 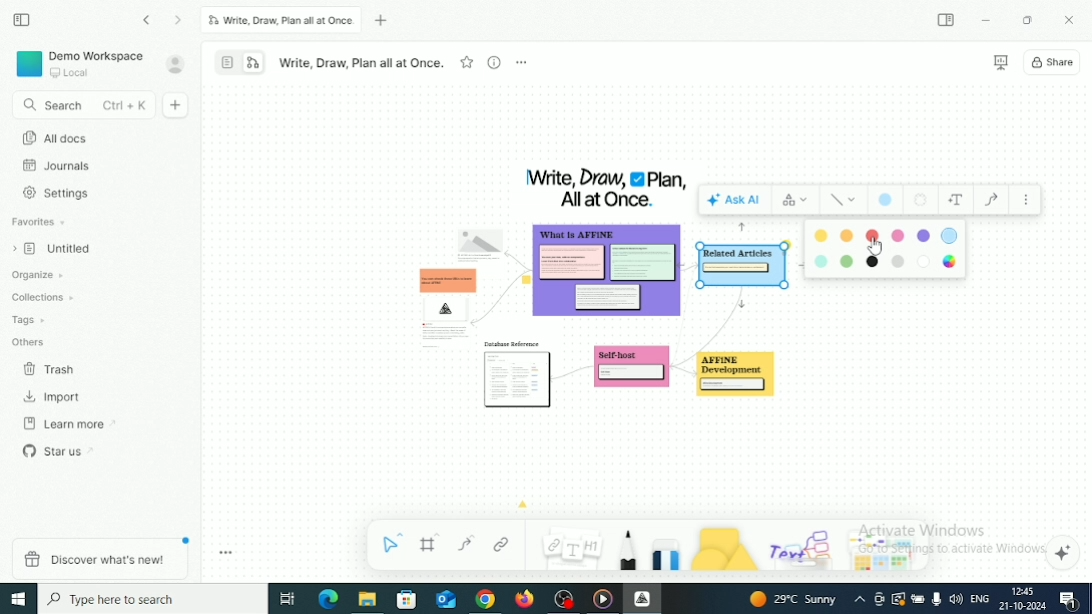 What do you see at coordinates (98, 558) in the screenshot?
I see `Discover what's new!` at bounding box center [98, 558].